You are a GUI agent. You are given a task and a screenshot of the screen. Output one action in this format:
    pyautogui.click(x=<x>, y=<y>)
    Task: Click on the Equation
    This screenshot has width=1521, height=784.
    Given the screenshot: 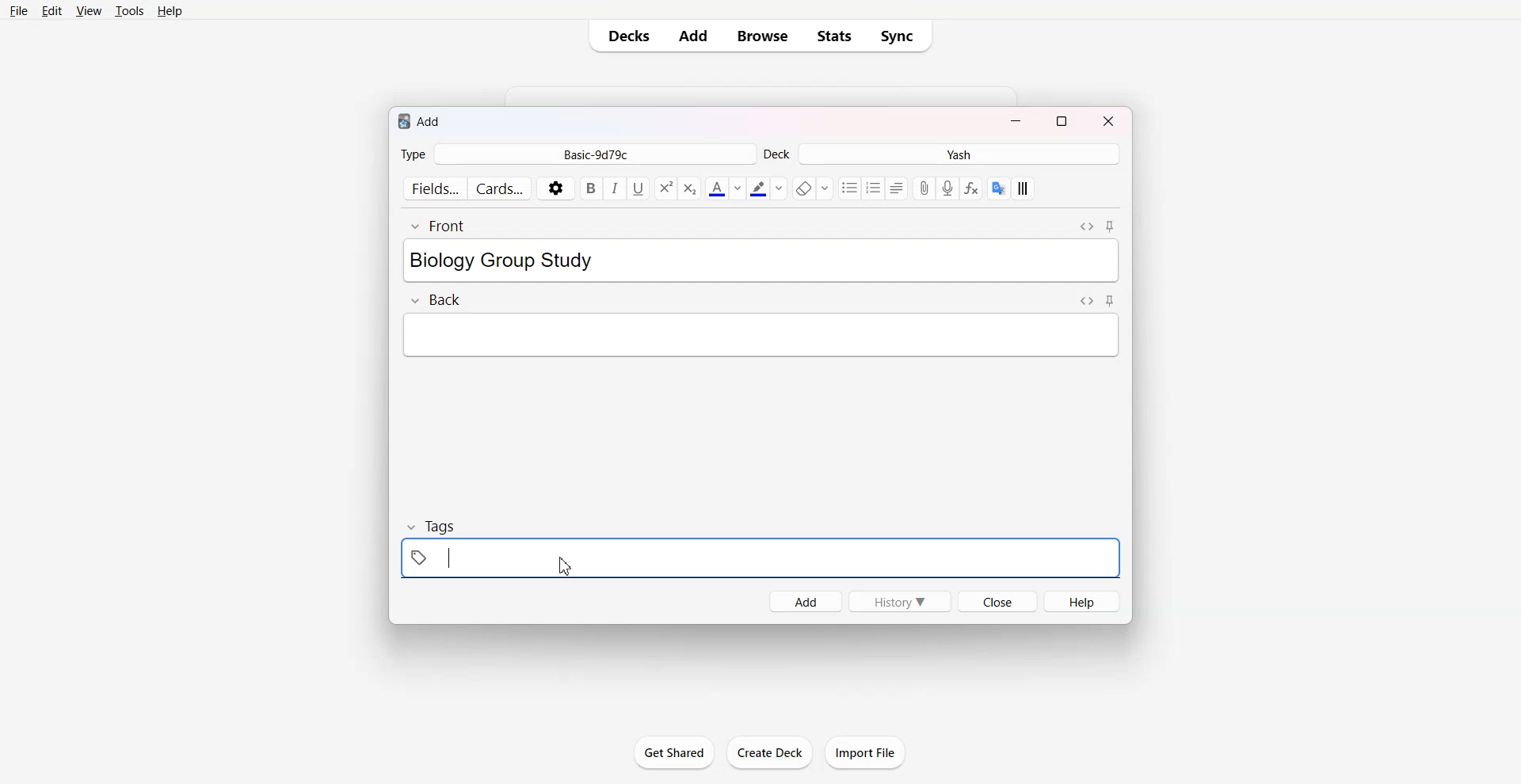 What is the action you would take?
    pyautogui.click(x=972, y=188)
    